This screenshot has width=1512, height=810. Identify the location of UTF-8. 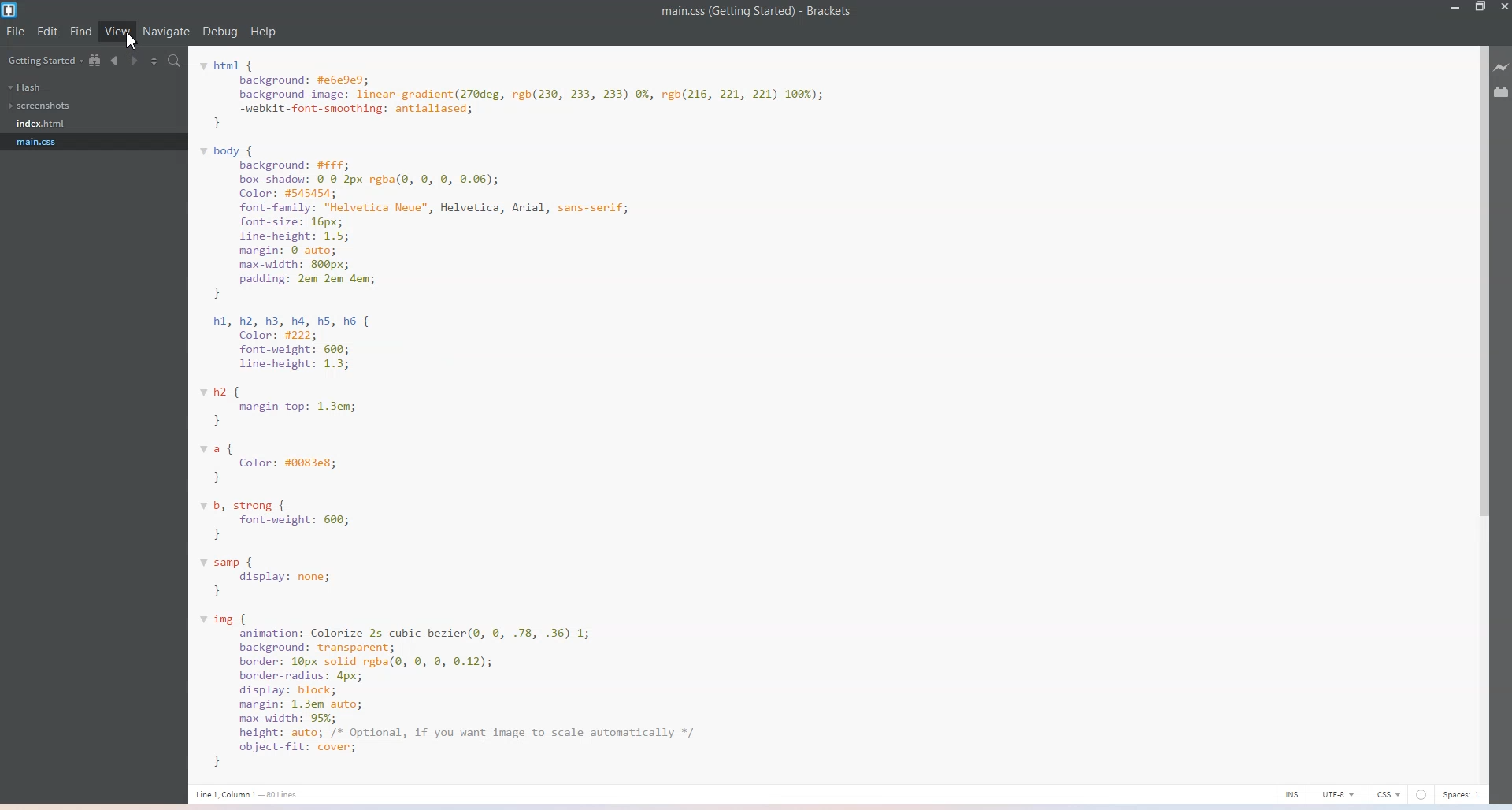
(1339, 793).